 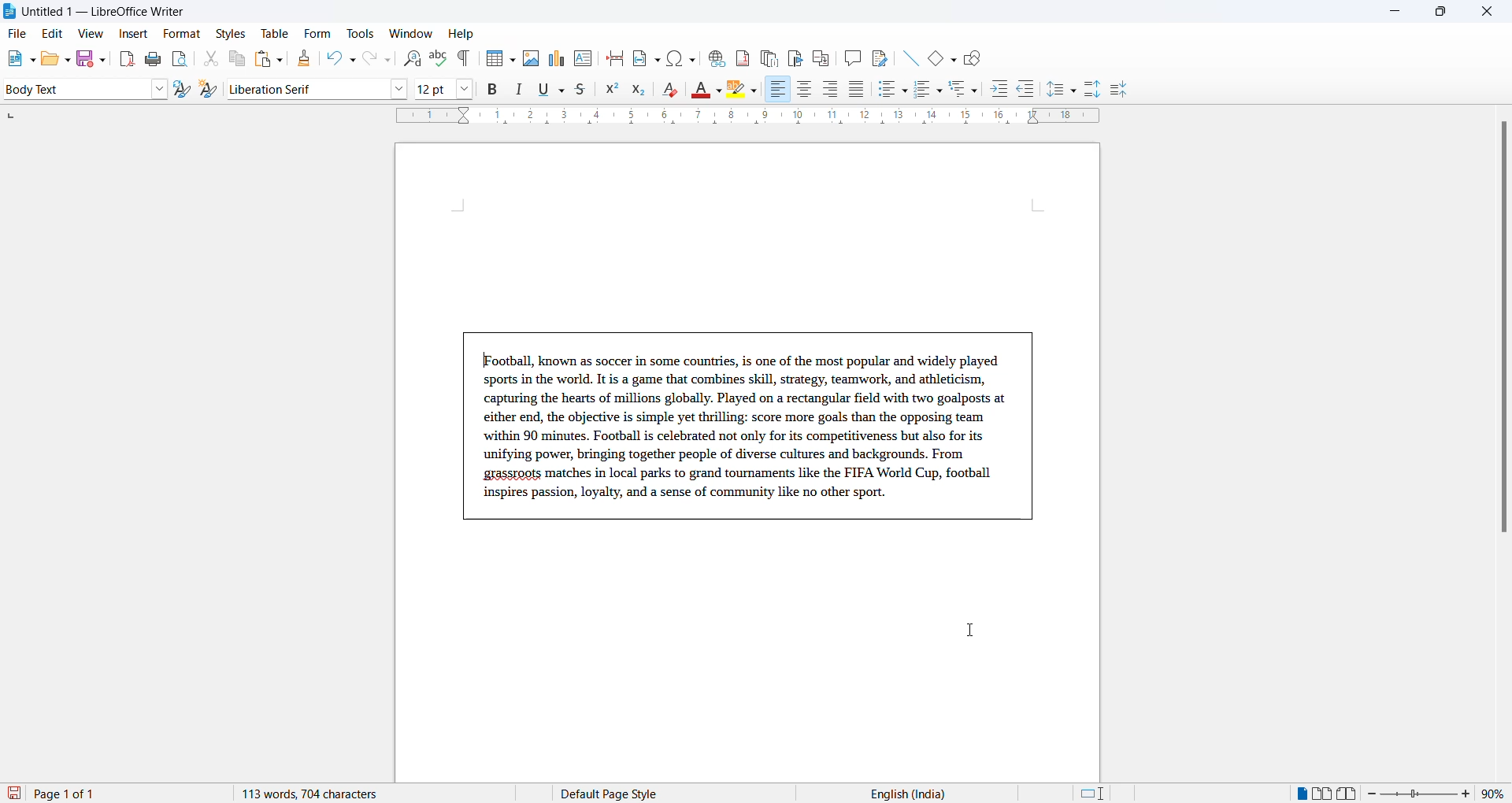 I want to click on decrease indent, so click(x=1031, y=90).